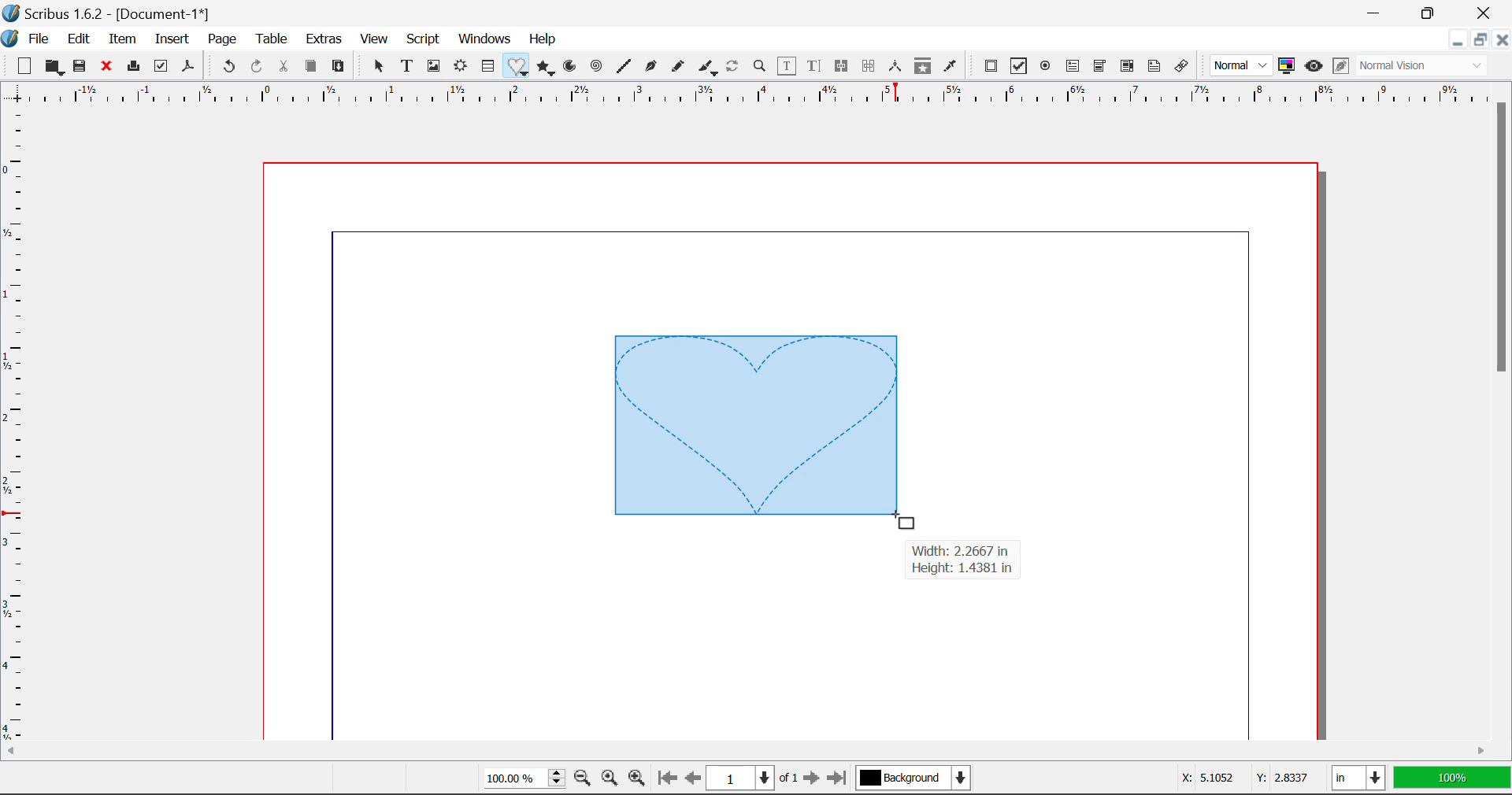 Image resolution: width=1512 pixels, height=795 pixels. What do you see at coordinates (1340, 66) in the screenshot?
I see `Edit in Preview Mode` at bounding box center [1340, 66].